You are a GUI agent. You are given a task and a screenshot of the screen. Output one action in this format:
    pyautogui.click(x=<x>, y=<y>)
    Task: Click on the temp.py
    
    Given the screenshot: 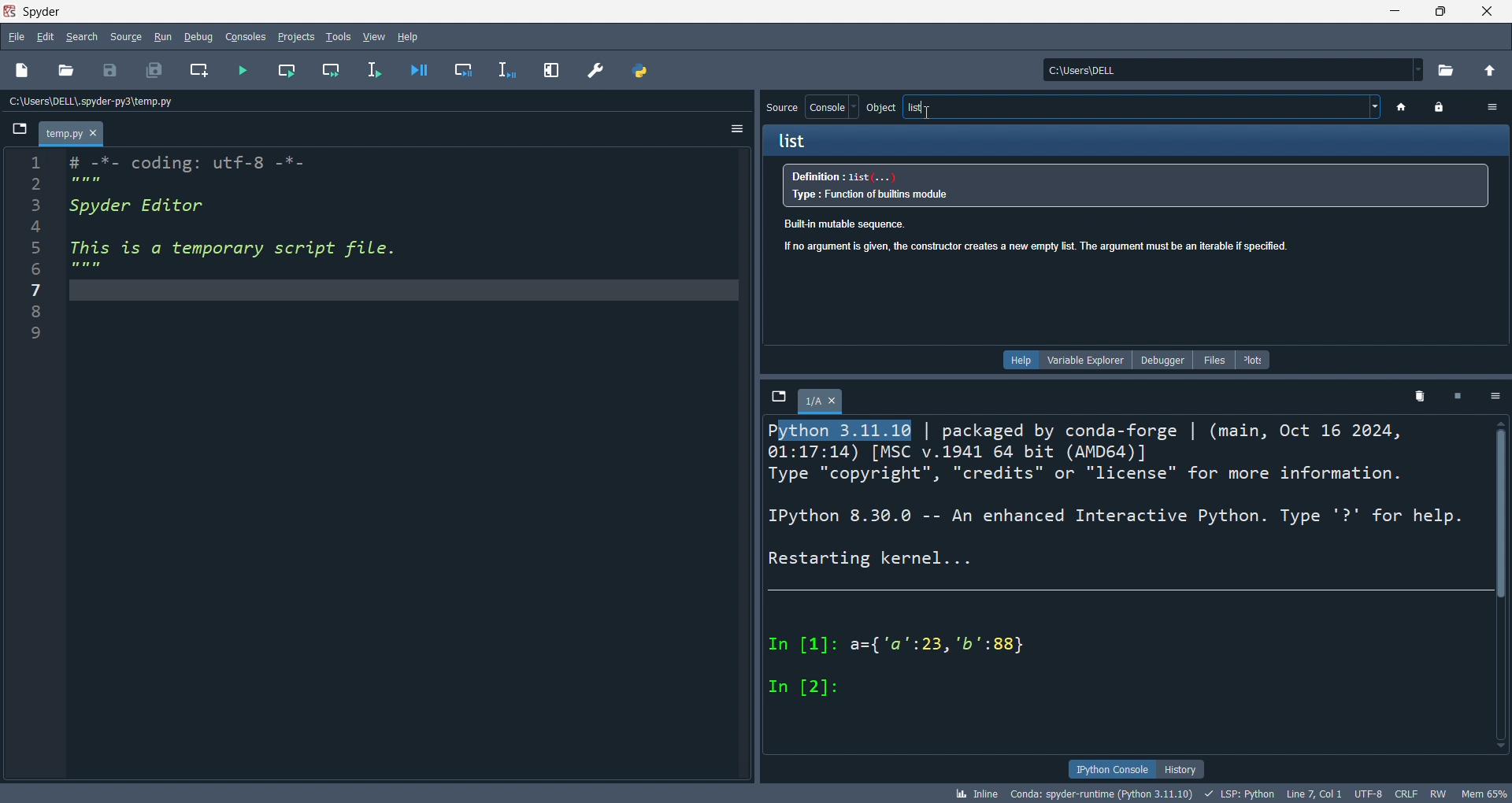 What is the action you would take?
    pyautogui.click(x=71, y=130)
    